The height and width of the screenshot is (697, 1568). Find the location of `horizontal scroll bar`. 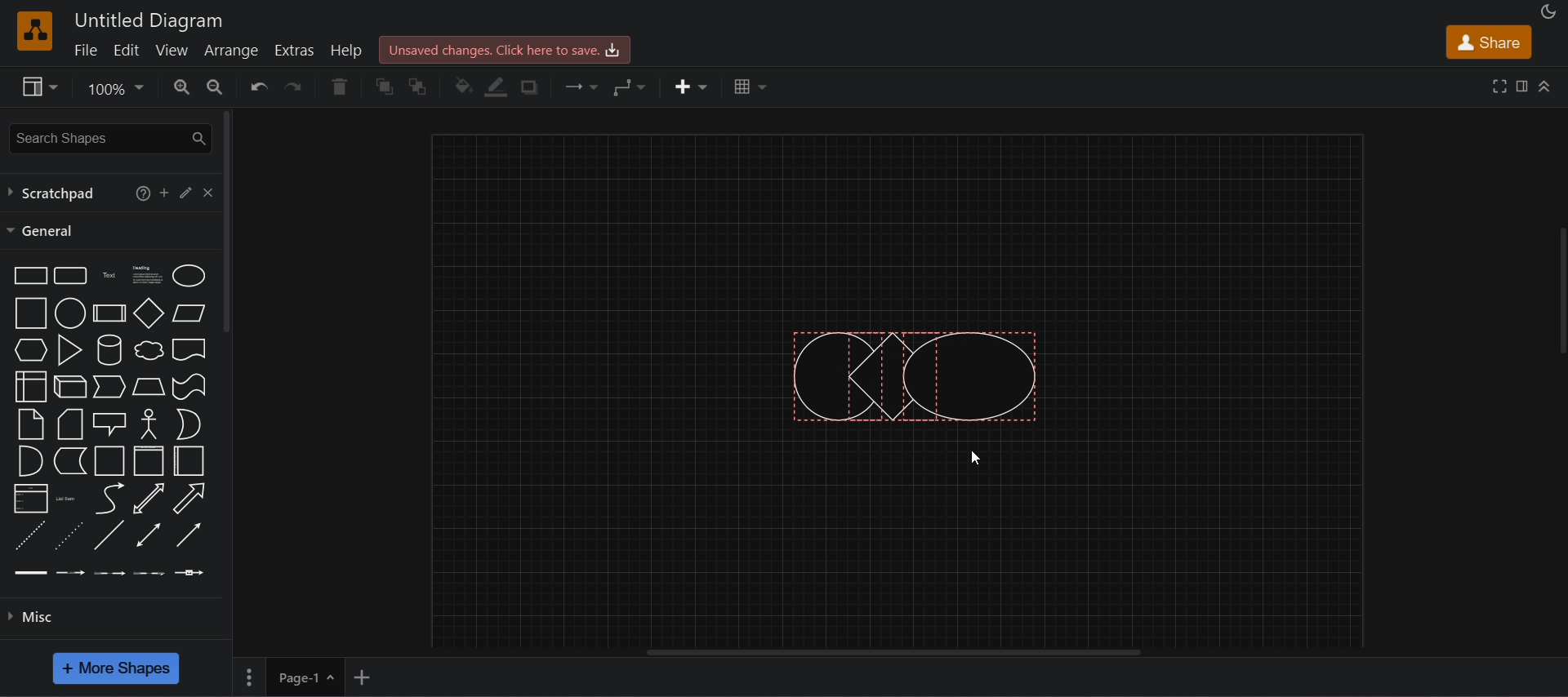

horizontal scroll bar is located at coordinates (905, 653).